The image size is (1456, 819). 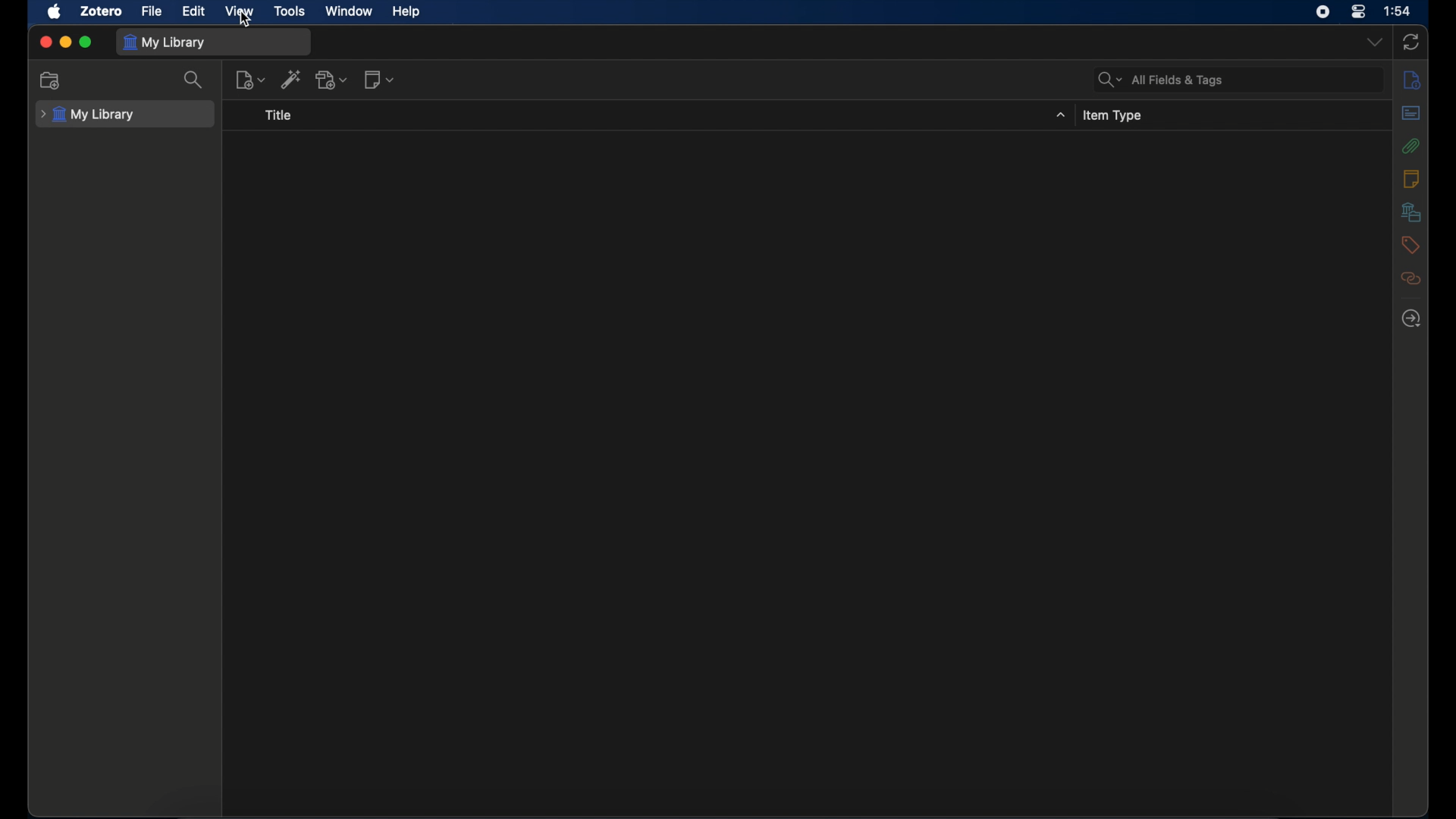 What do you see at coordinates (1411, 279) in the screenshot?
I see `related` at bounding box center [1411, 279].